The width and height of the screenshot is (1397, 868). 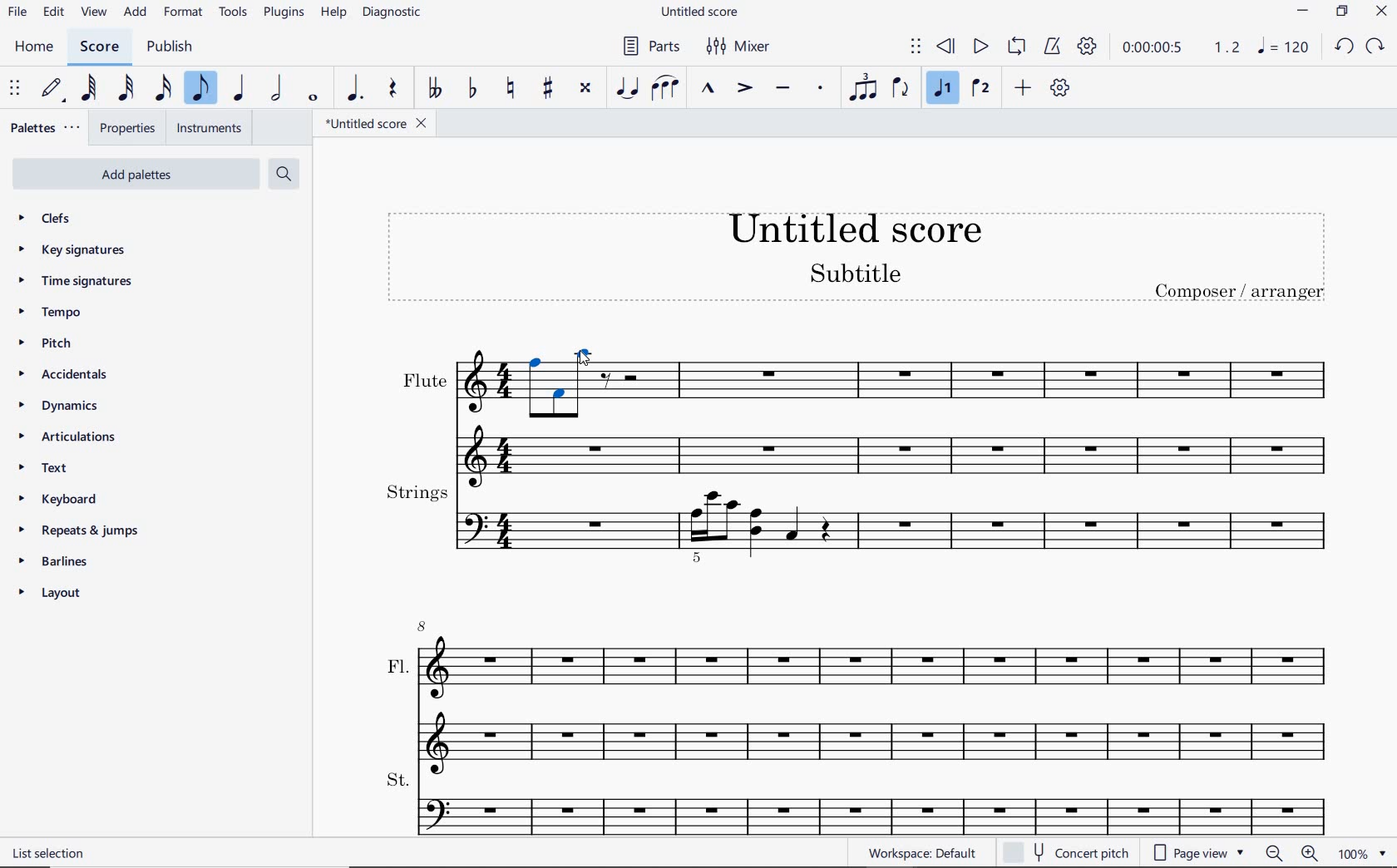 I want to click on TOGGLE DOUBLE-SHARP, so click(x=585, y=88).